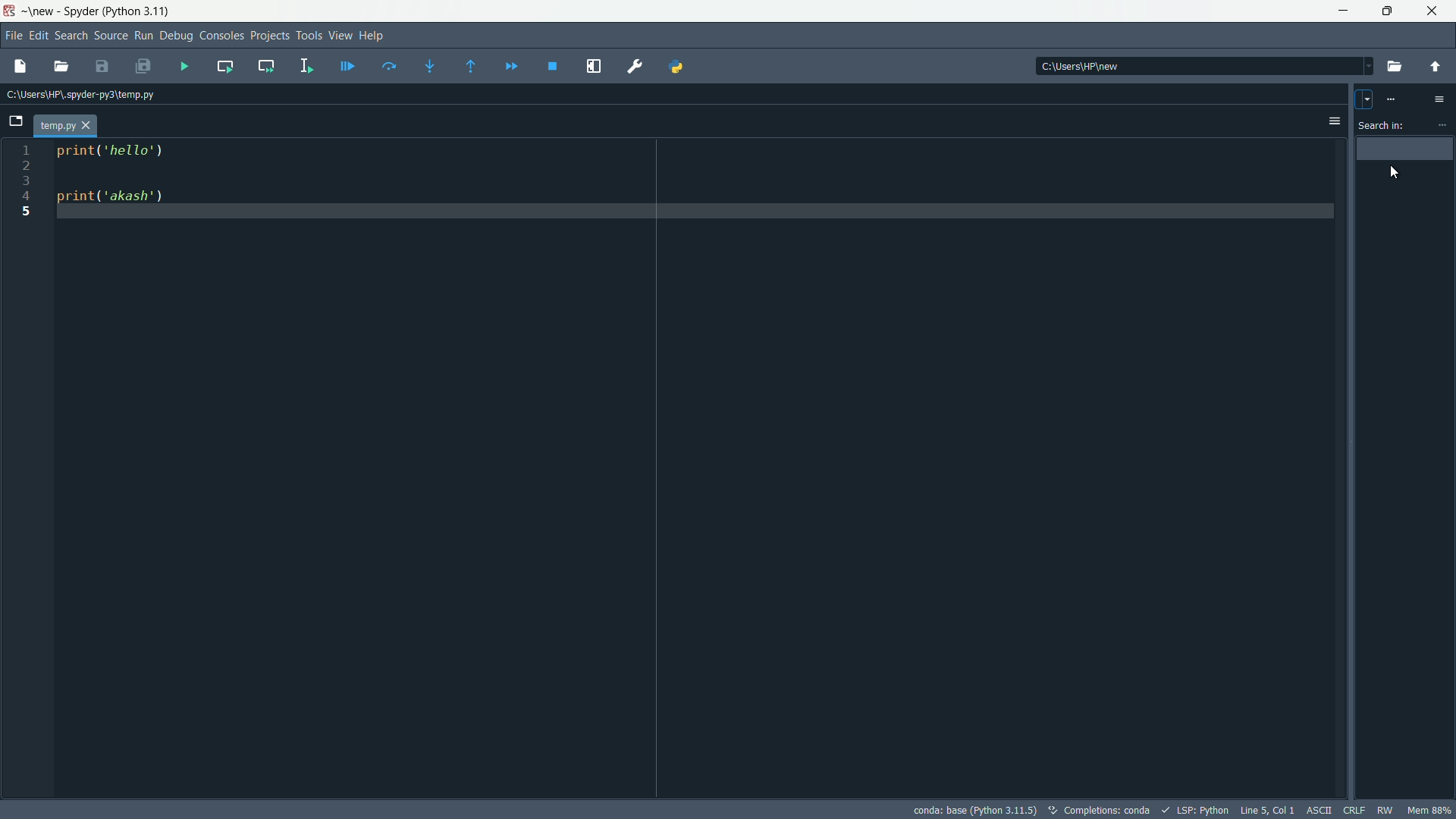 This screenshot has height=819, width=1456. What do you see at coordinates (1321, 808) in the screenshot?
I see `ASCII` at bounding box center [1321, 808].